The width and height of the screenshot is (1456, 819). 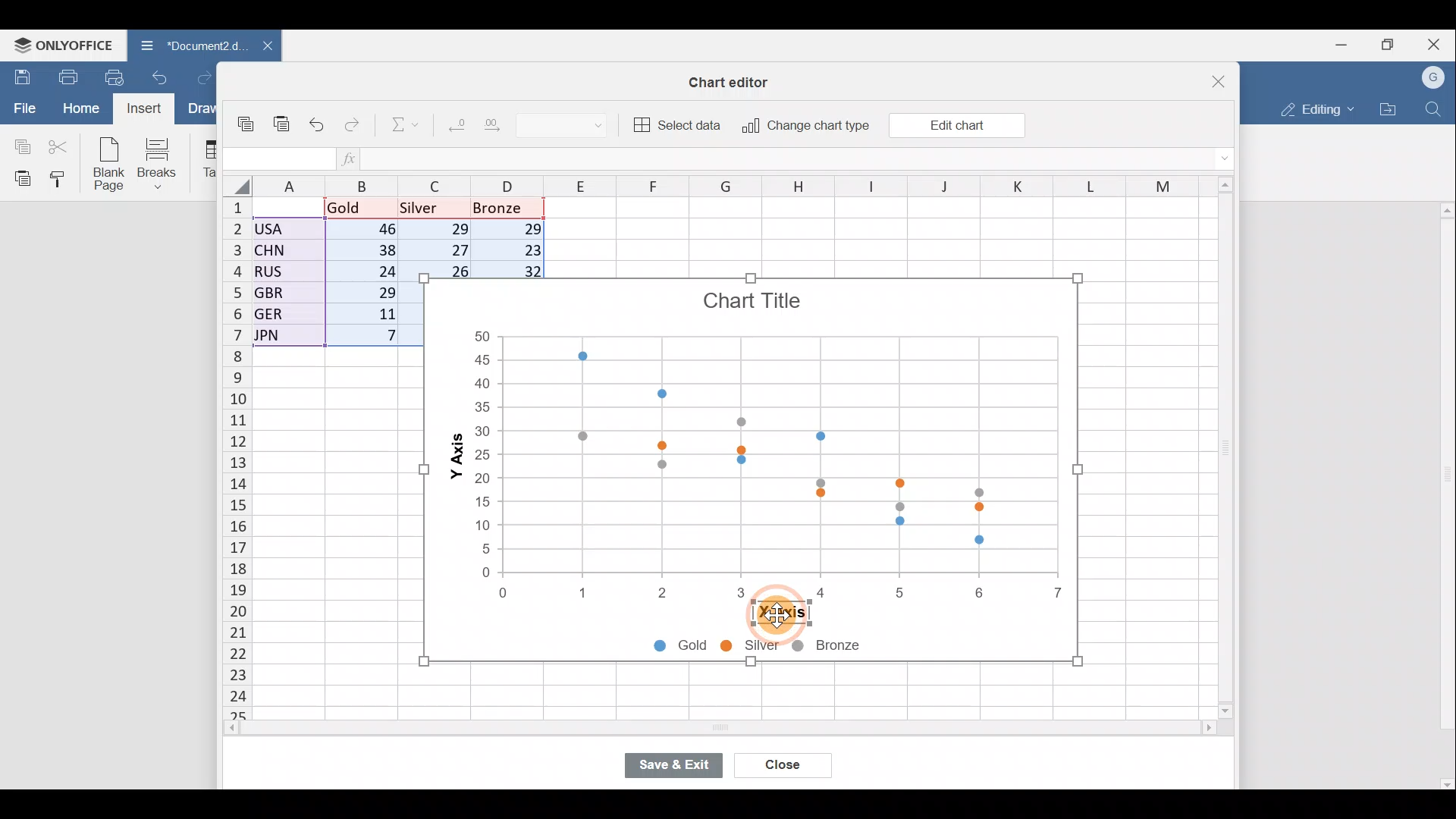 I want to click on Chart editor, so click(x=736, y=79).